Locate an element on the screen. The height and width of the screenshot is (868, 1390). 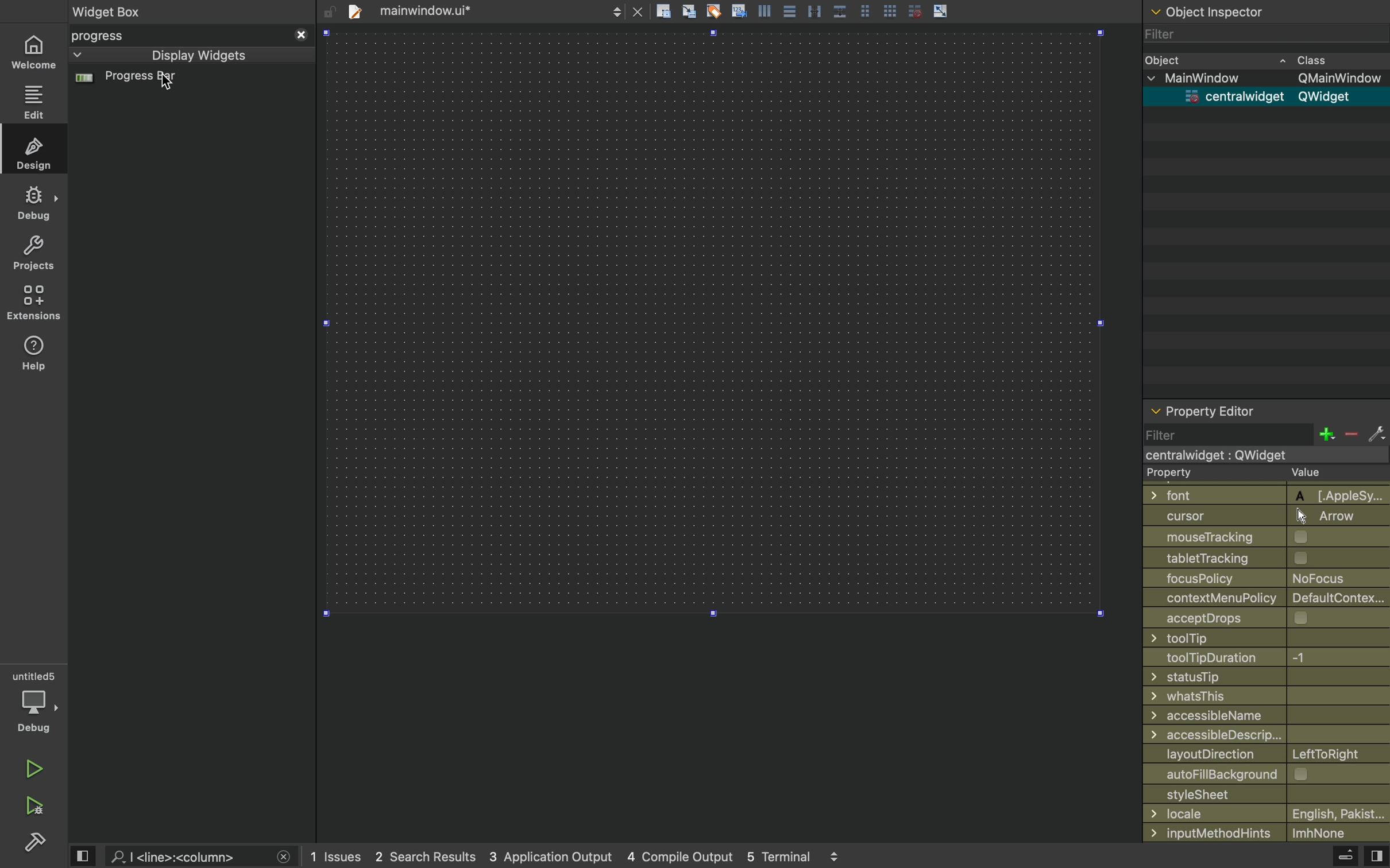
run is located at coordinates (32, 766).